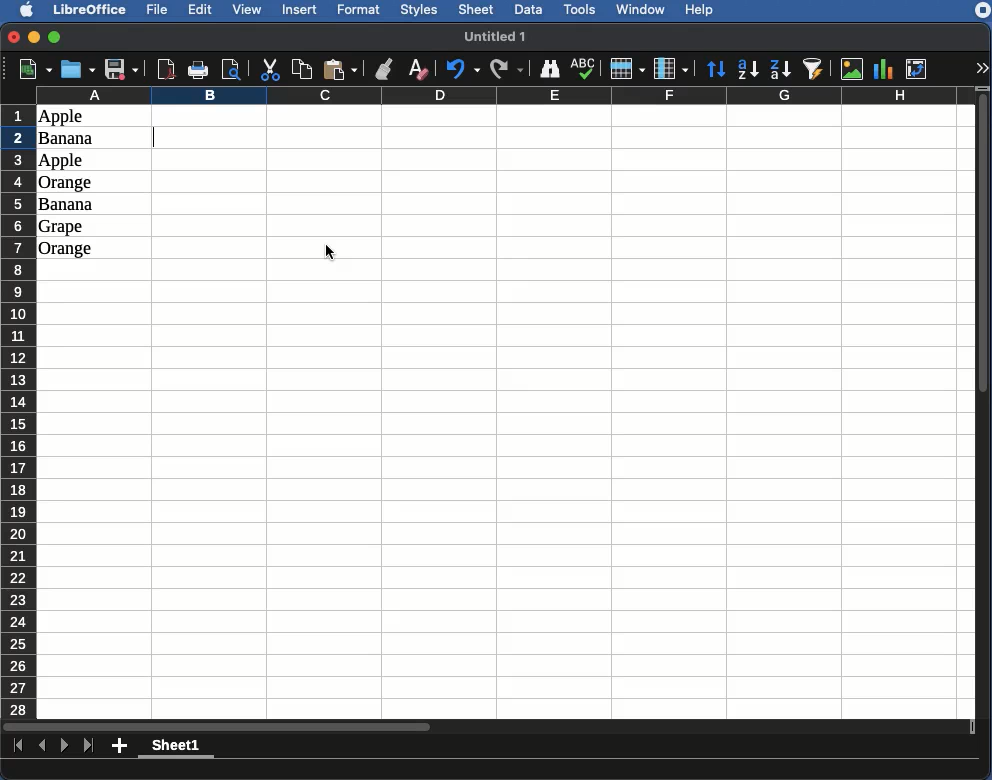  I want to click on Sheet, so click(477, 10).